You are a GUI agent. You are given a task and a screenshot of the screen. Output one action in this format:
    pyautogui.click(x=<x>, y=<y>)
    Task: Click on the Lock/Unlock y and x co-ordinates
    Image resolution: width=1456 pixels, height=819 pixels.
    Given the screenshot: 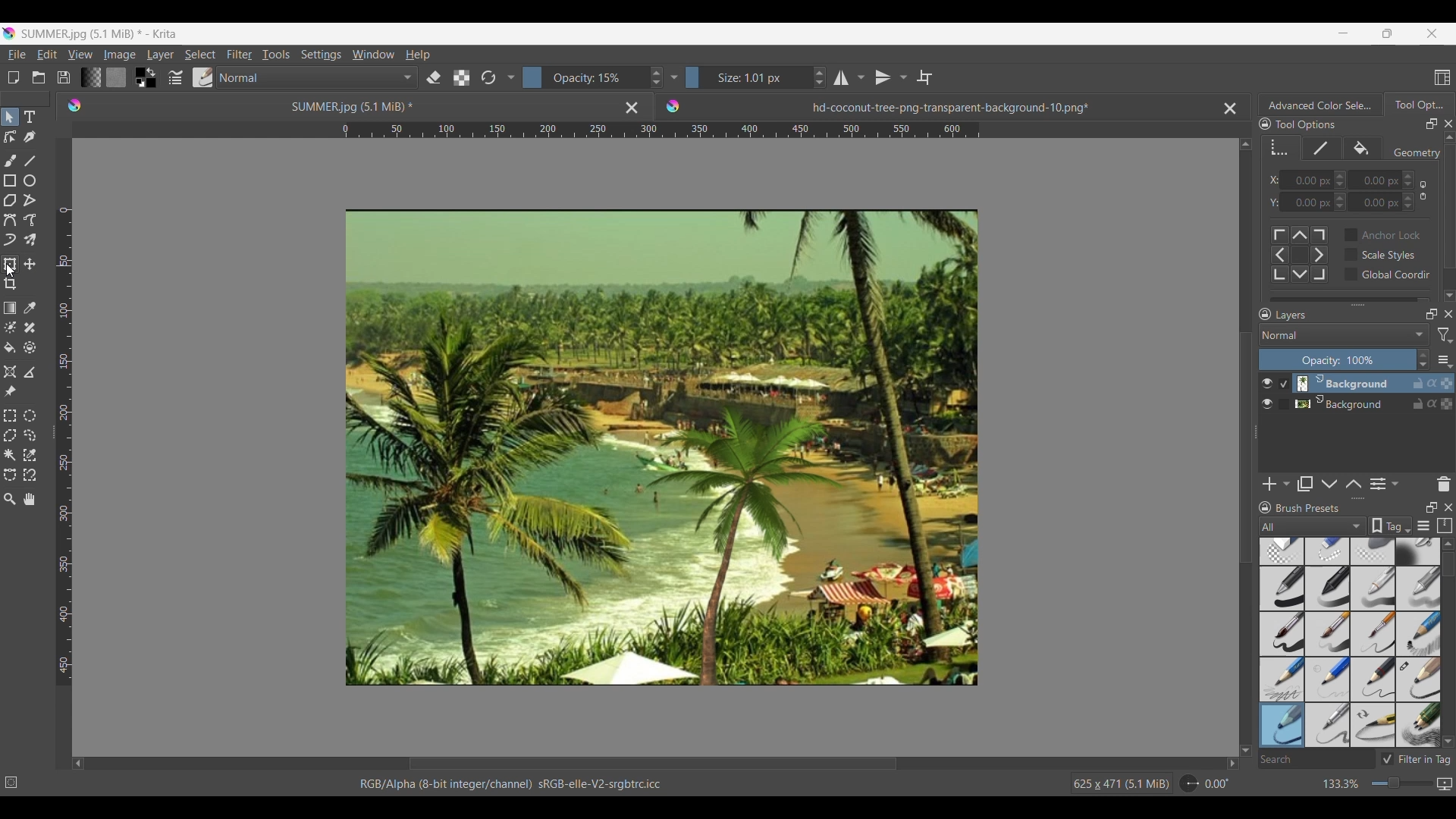 What is the action you would take?
    pyautogui.click(x=1423, y=190)
    